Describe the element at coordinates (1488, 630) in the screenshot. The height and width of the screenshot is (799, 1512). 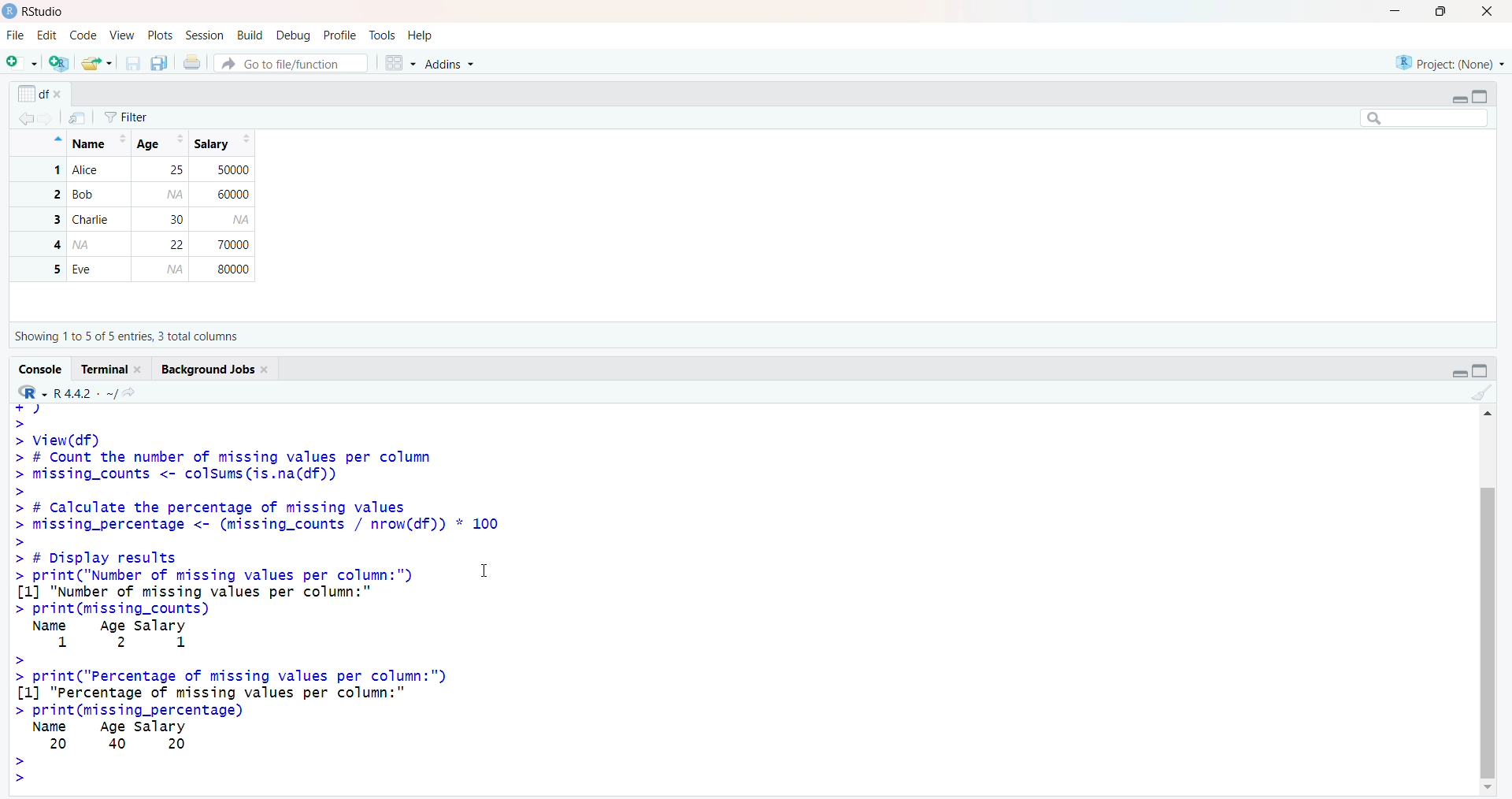
I see `Scrollbar` at that location.